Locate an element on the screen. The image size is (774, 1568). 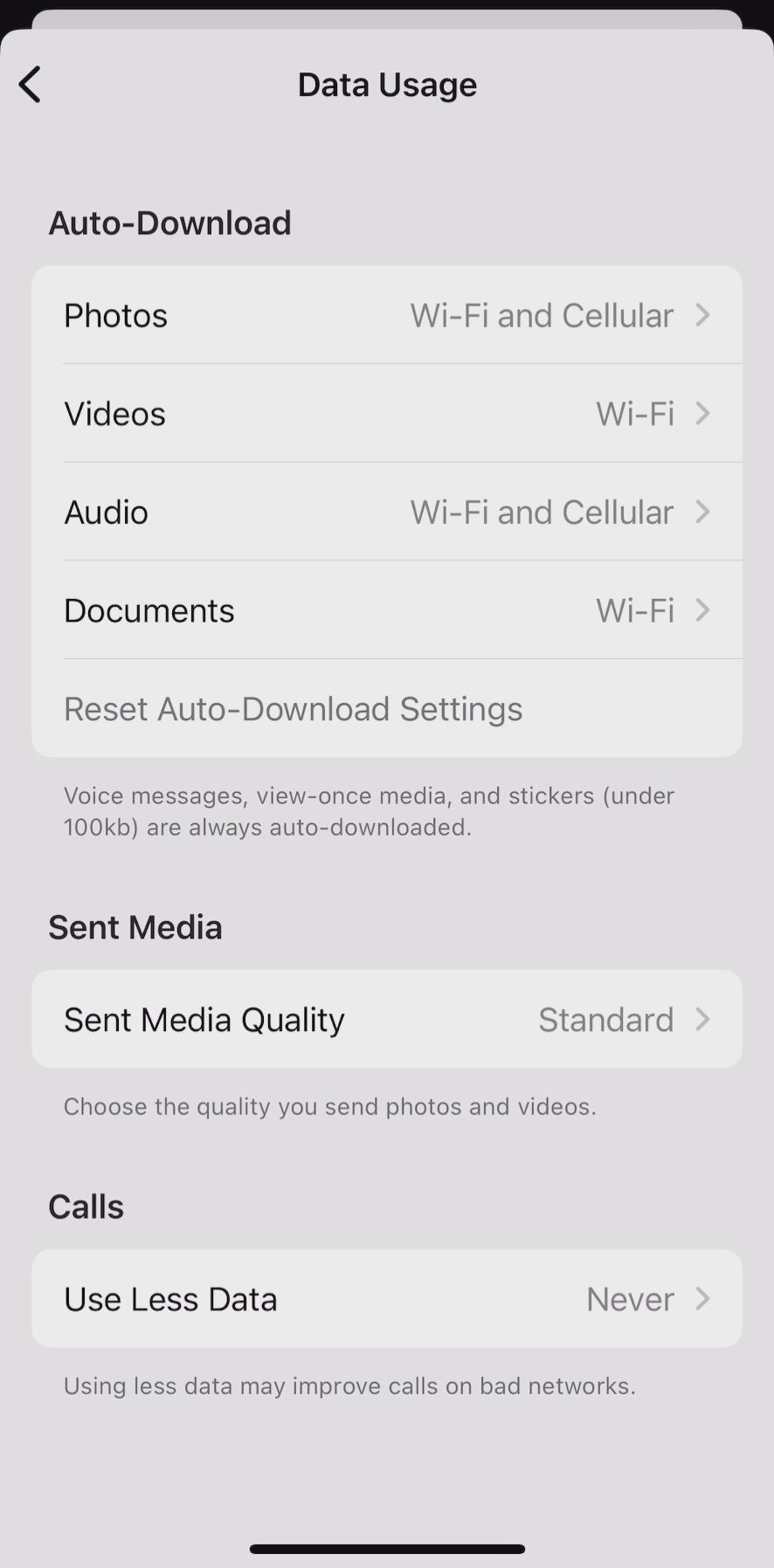
Sent Media Quality Standard is located at coordinates (388, 1021).